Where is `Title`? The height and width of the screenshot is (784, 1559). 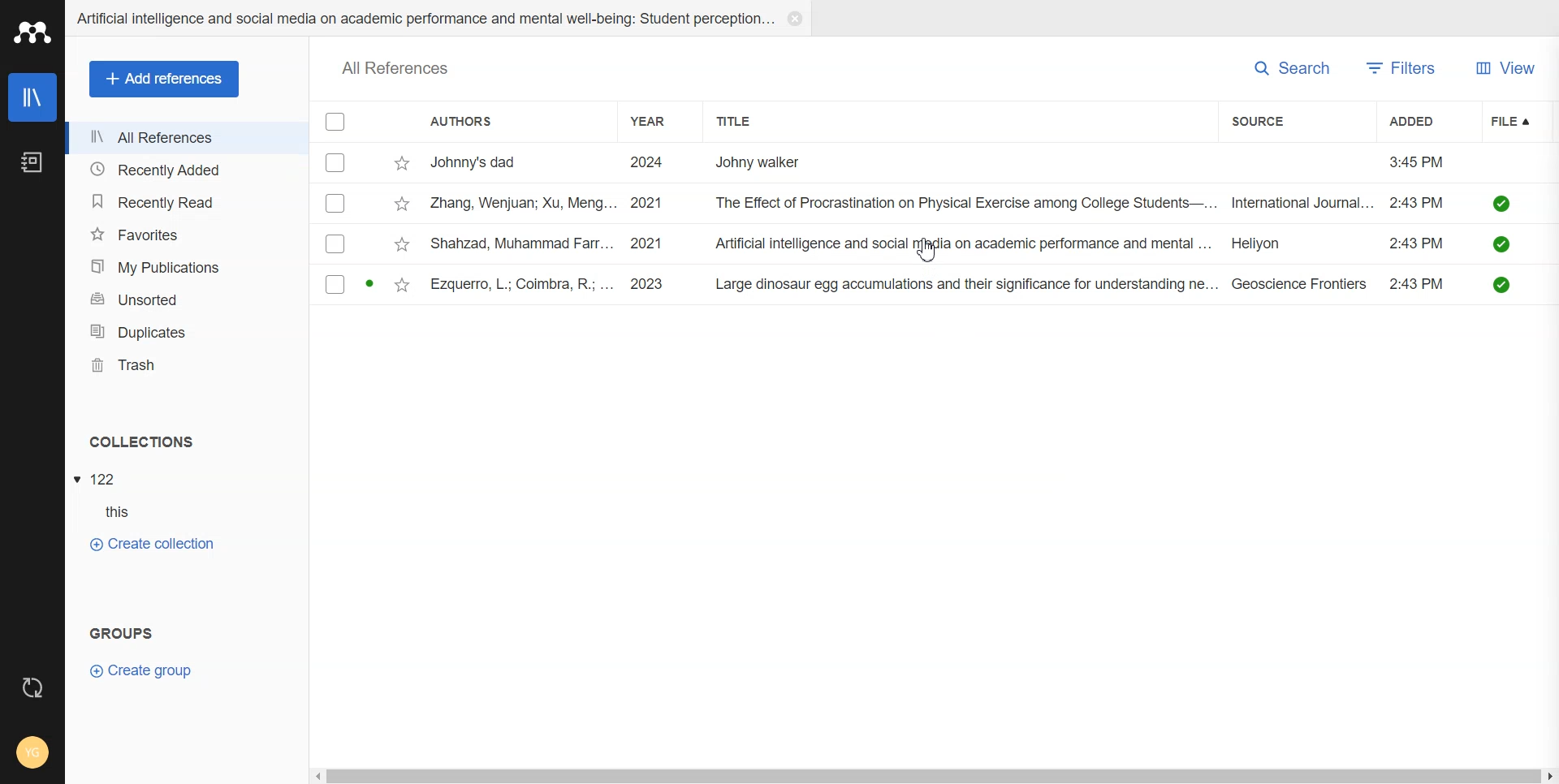 Title is located at coordinates (767, 121).